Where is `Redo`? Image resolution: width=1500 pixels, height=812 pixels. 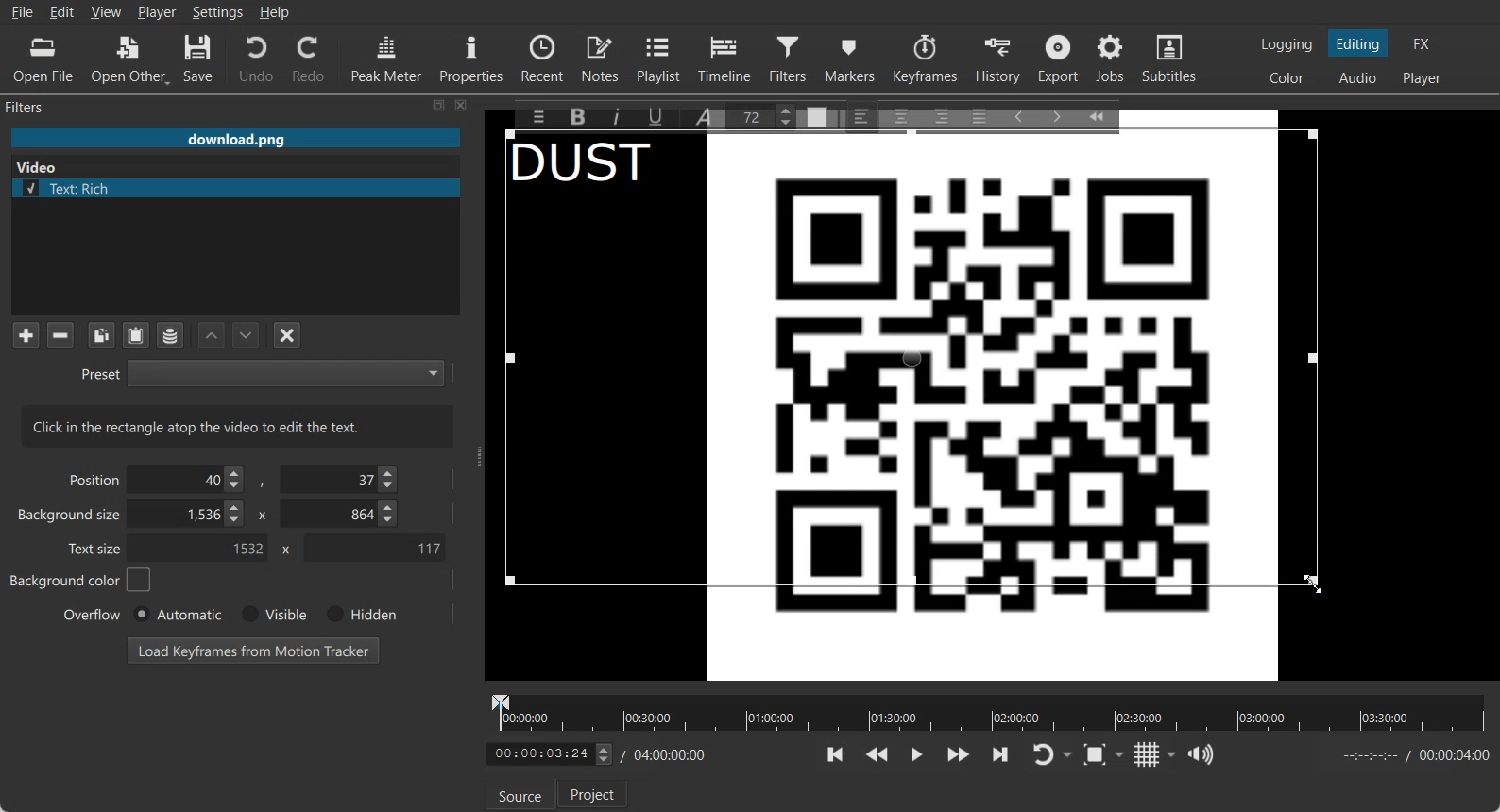
Redo is located at coordinates (310, 59).